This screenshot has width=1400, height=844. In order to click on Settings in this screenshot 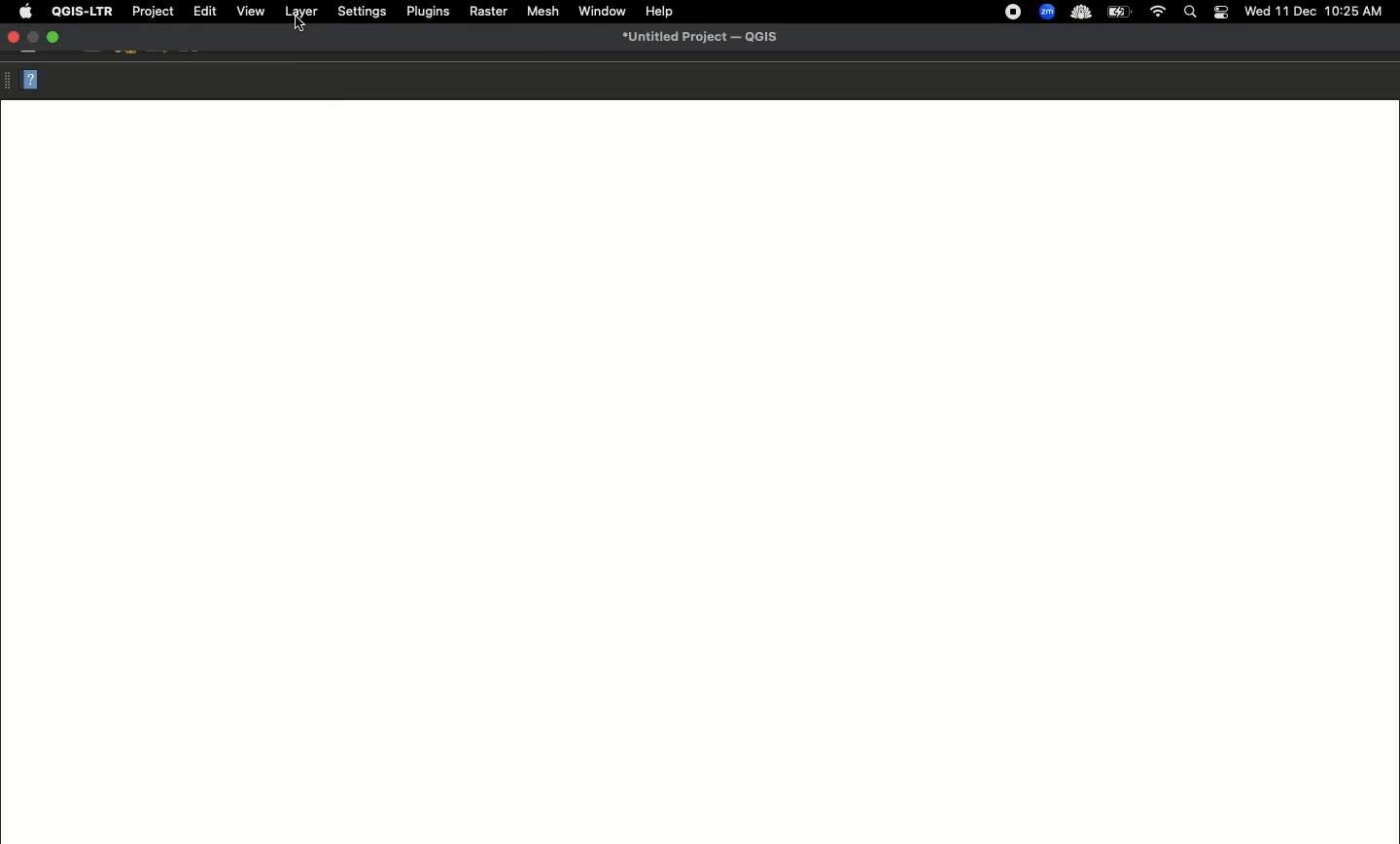, I will do `click(361, 11)`.